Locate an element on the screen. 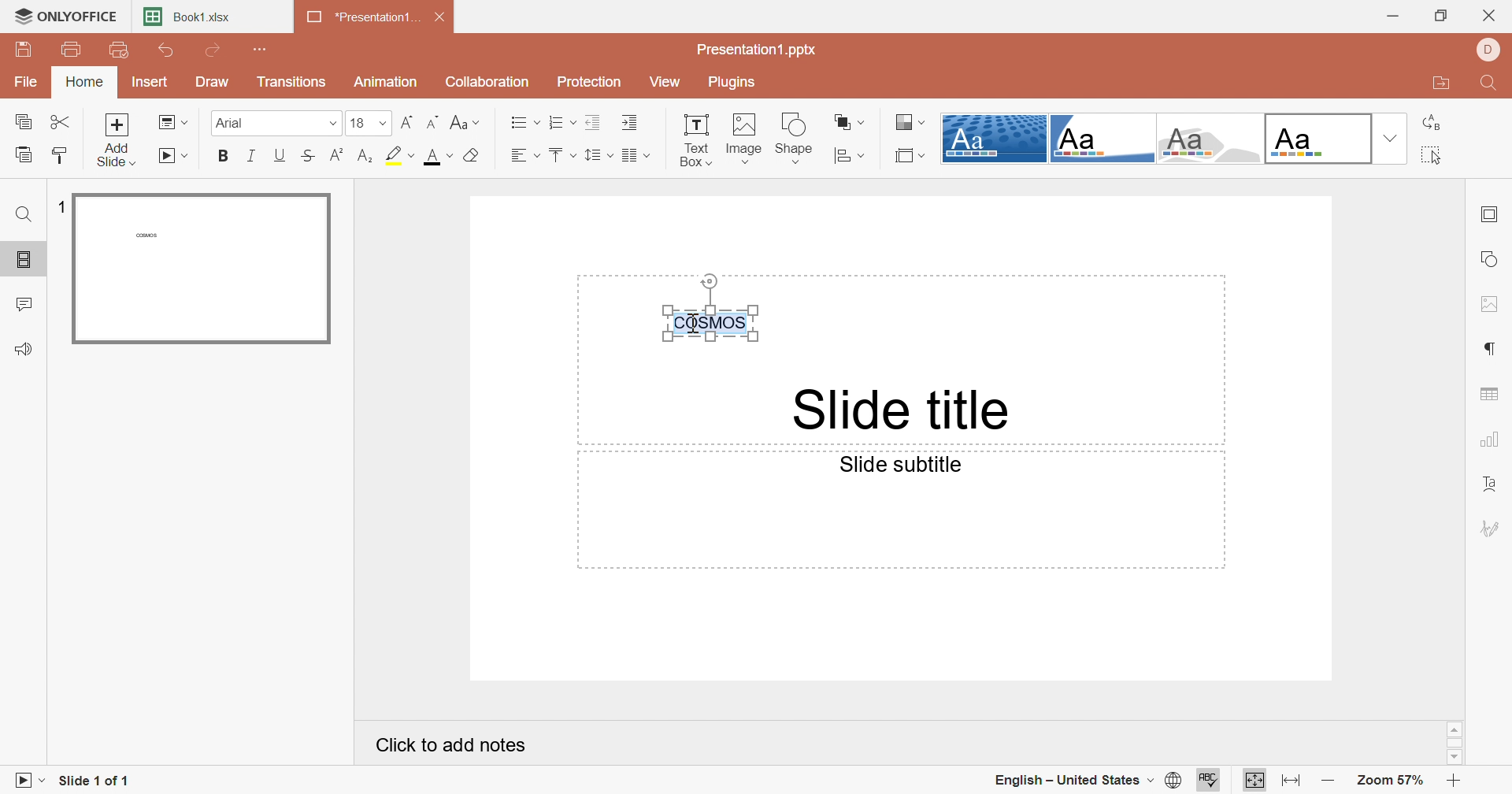 This screenshot has height=794, width=1512. Open file location is located at coordinates (1437, 88).